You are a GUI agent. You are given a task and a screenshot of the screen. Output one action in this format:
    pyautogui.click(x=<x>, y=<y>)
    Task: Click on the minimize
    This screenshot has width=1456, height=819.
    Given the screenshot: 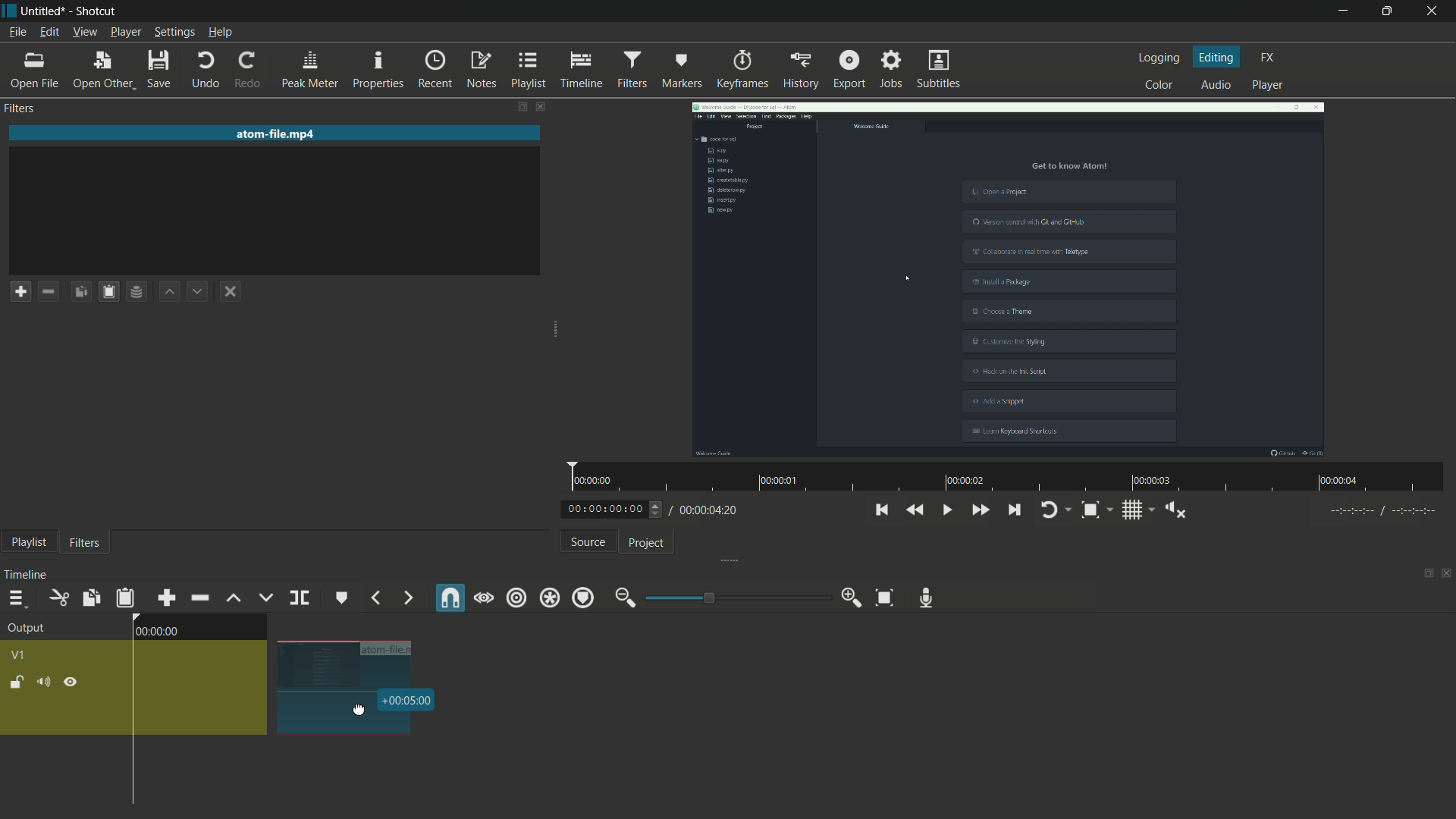 What is the action you would take?
    pyautogui.click(x=624, y=598)
    